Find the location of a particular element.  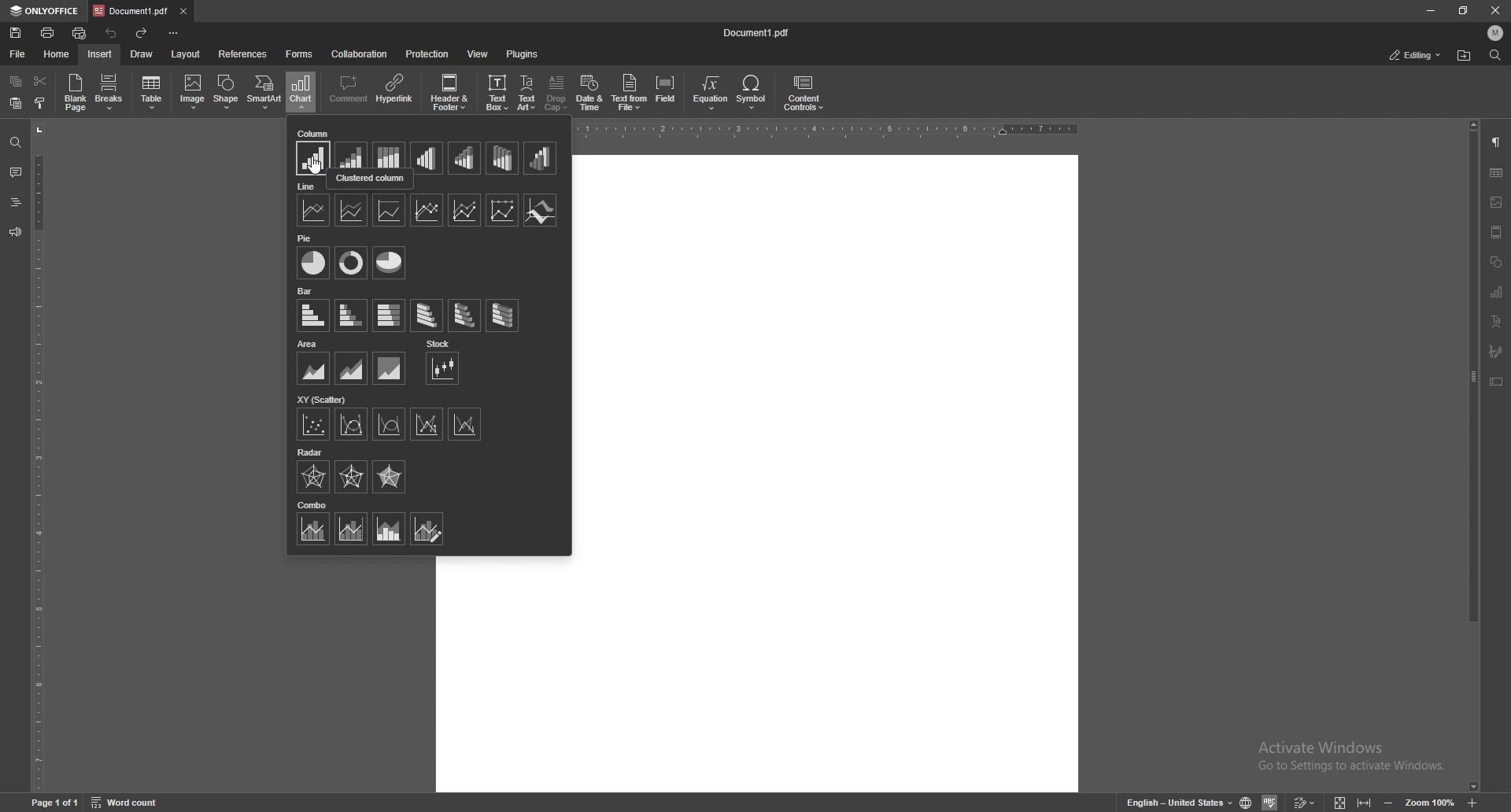

Close is located at coordinates (1491, 10).